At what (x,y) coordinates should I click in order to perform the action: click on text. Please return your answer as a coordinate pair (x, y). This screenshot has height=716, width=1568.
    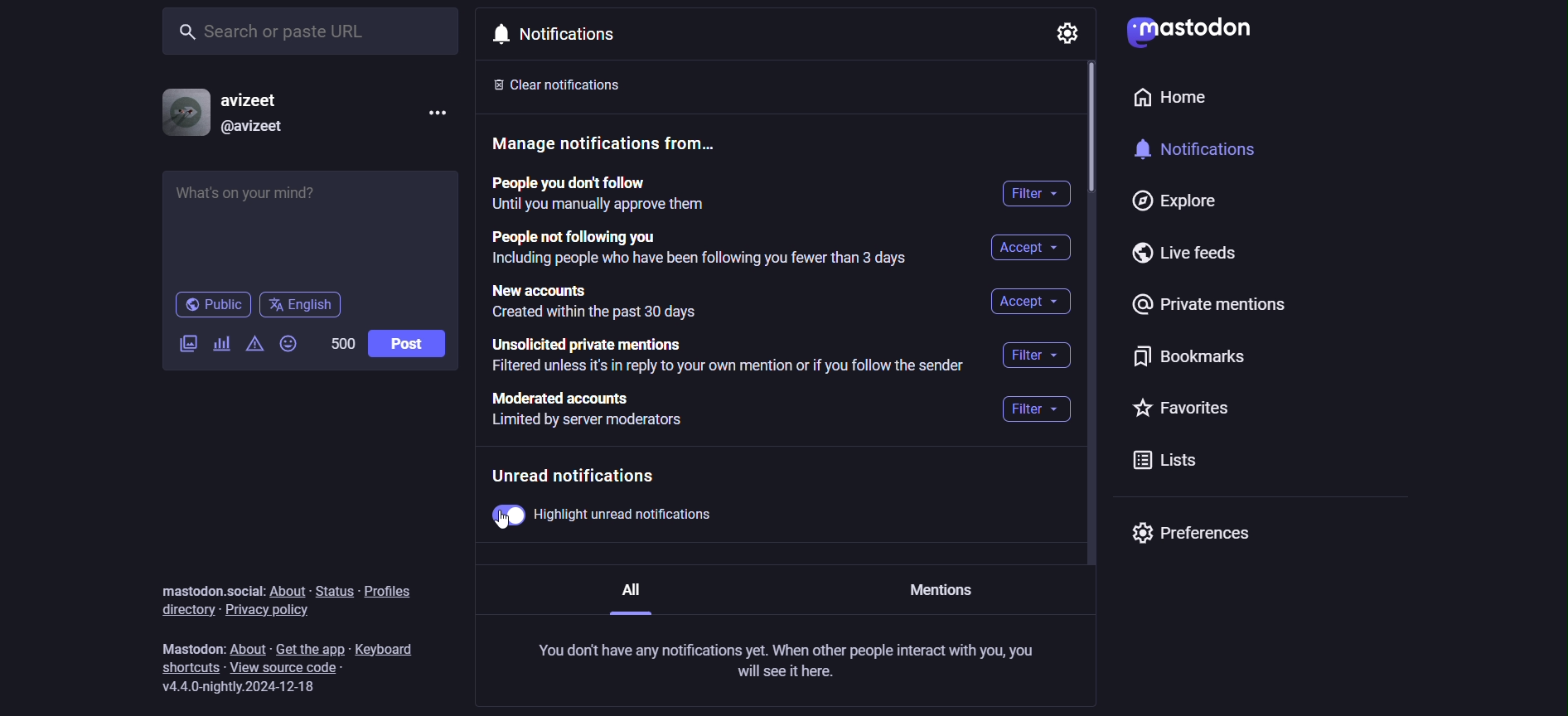
    Looking at the image, I should click on (209, 590).